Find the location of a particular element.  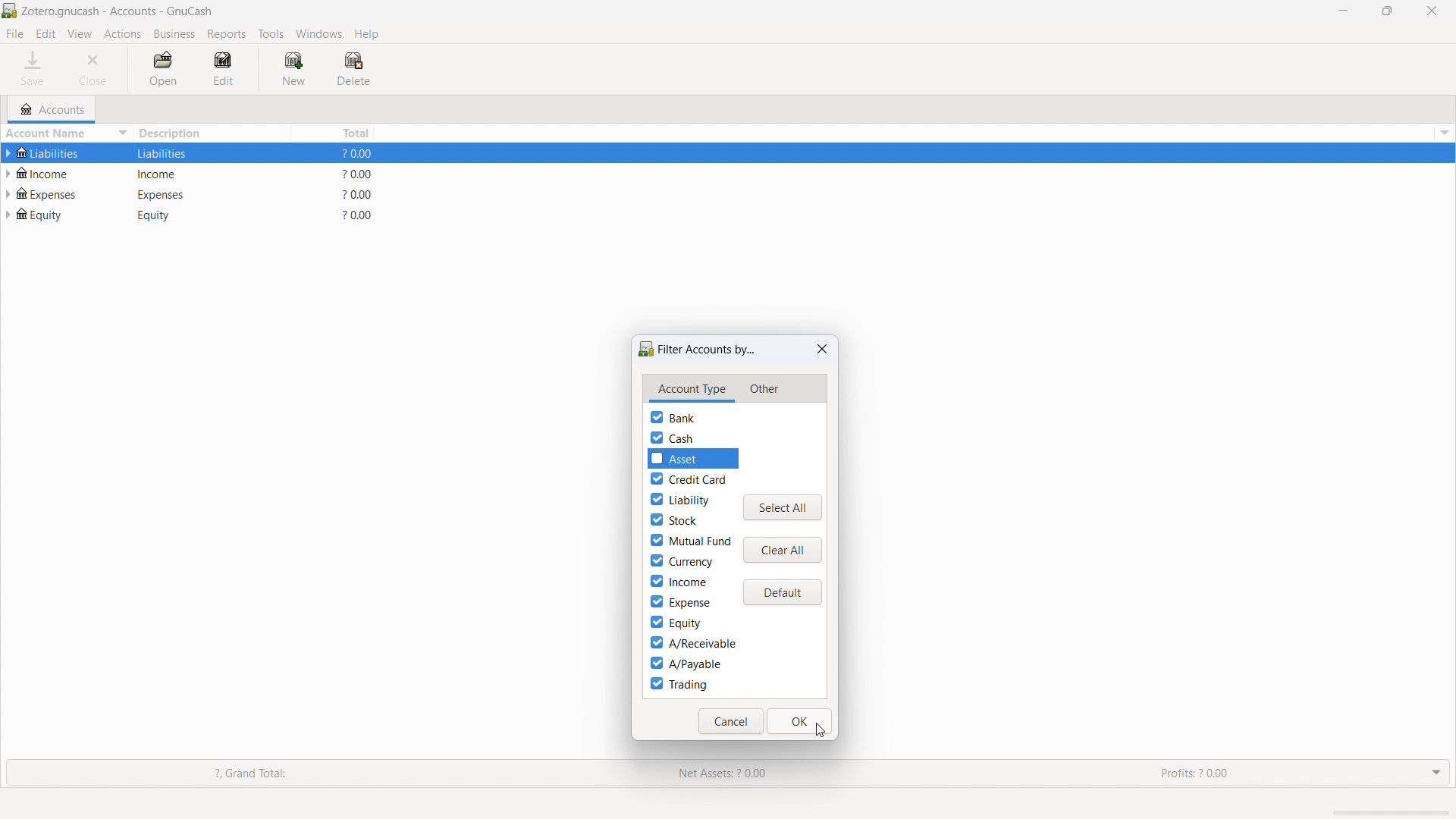

sort by account name is located at coordinates (67, 135).